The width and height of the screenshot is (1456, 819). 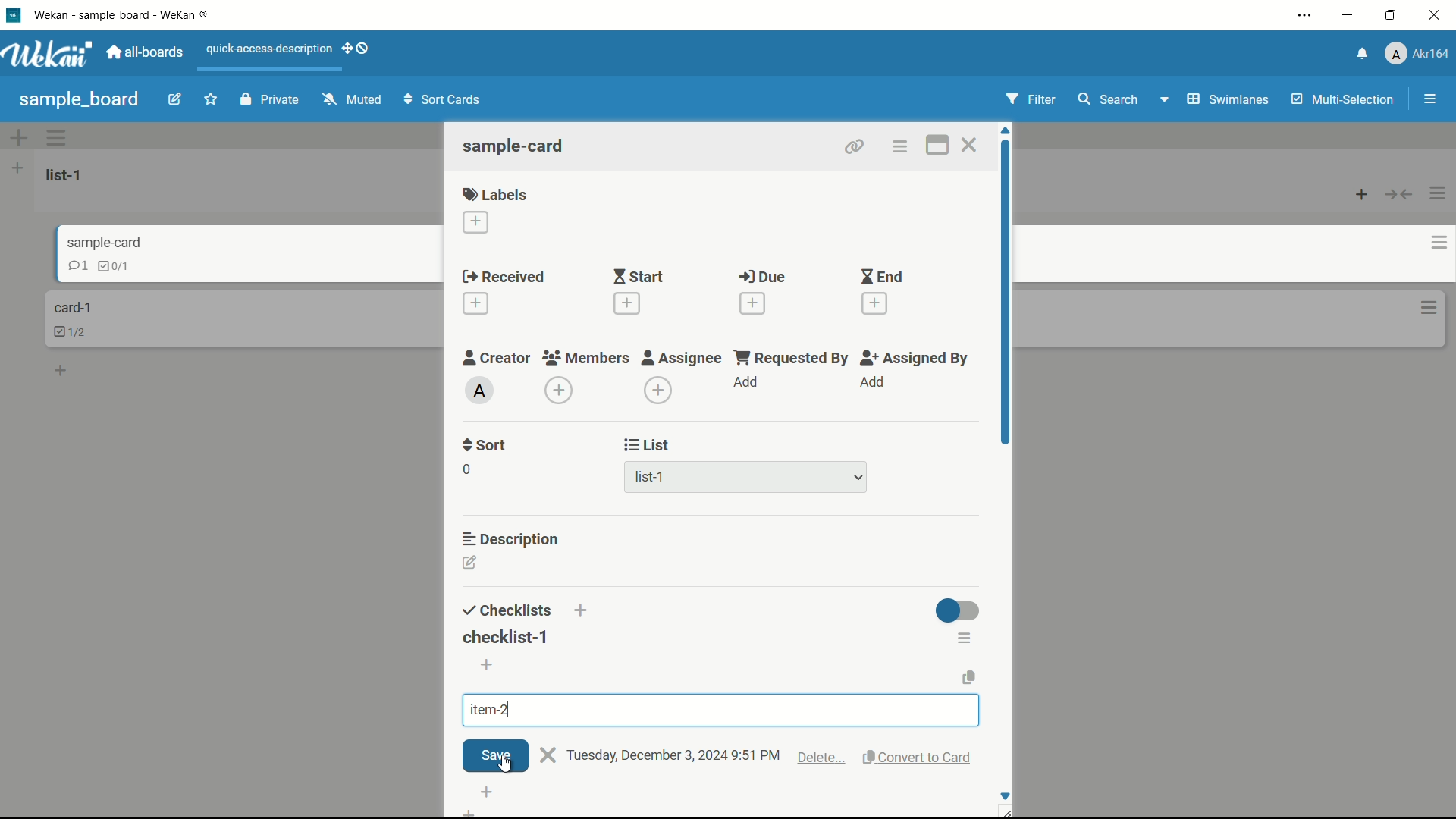 What do you see at coordinates (1108, 99) in the screenshot?
I see `search` at bounding box center [1108, 99].